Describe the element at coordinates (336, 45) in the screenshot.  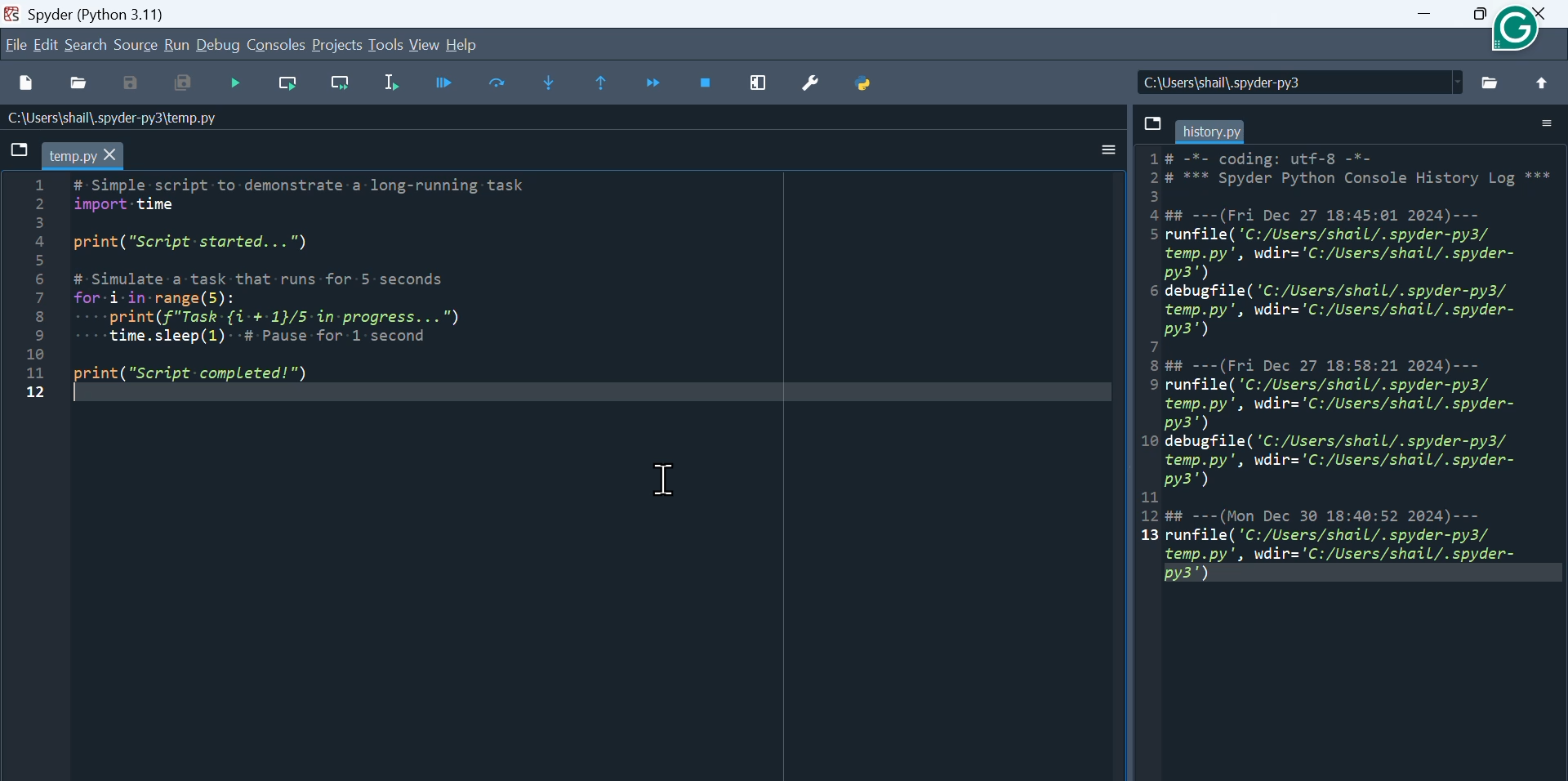
I see `Projects` at that location.